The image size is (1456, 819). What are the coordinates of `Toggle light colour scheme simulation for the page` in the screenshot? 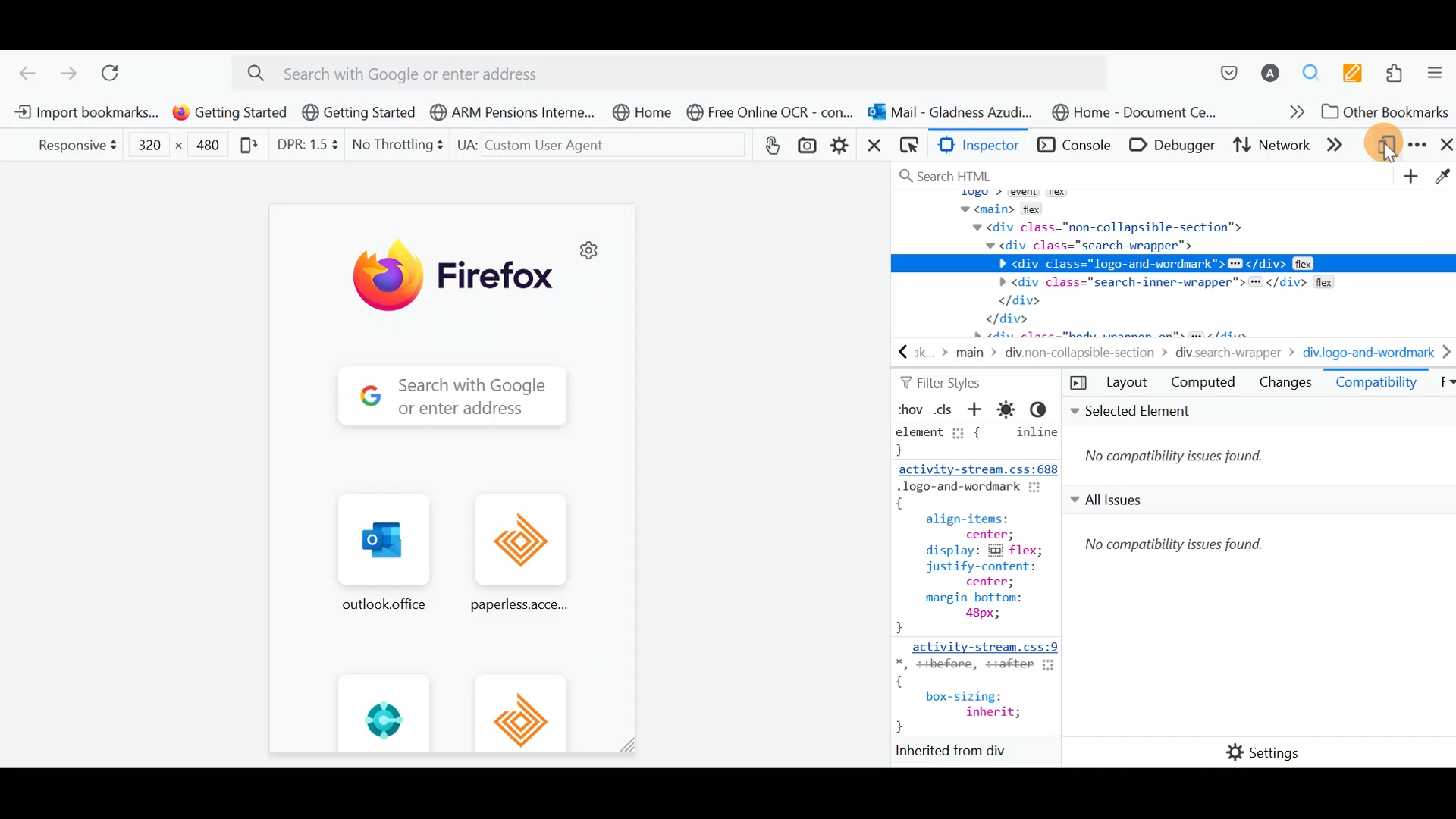 It's located at (1011, 409).